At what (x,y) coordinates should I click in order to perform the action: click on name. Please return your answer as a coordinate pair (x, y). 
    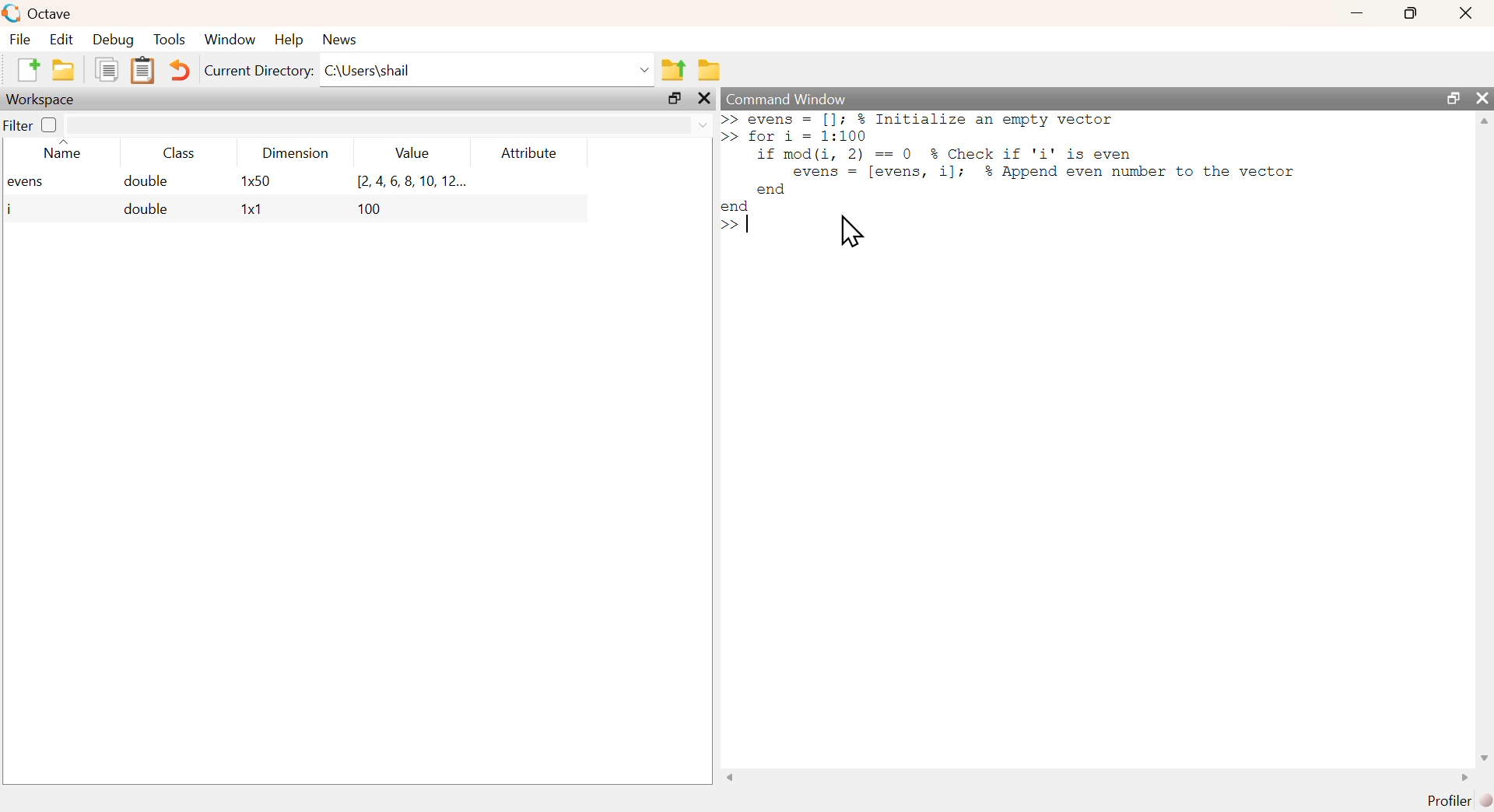
    Looking at the image, I should click on (55, 153).